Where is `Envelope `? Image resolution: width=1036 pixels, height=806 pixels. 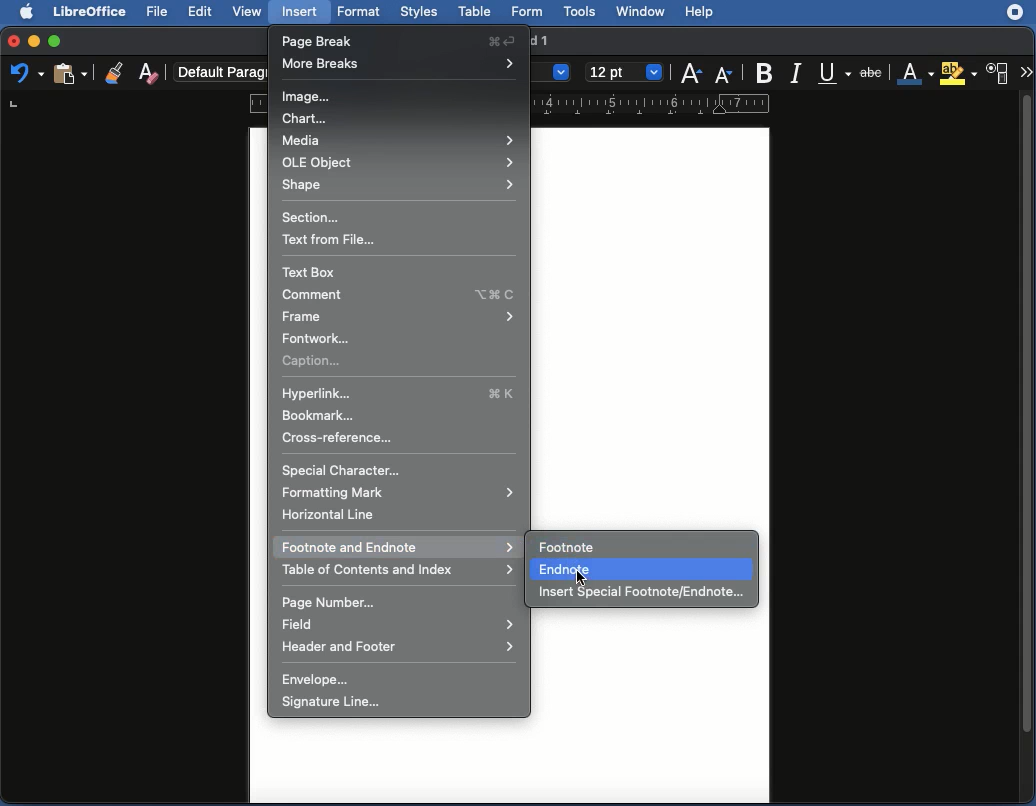 Envelope  is located at coordinates (322, 680).